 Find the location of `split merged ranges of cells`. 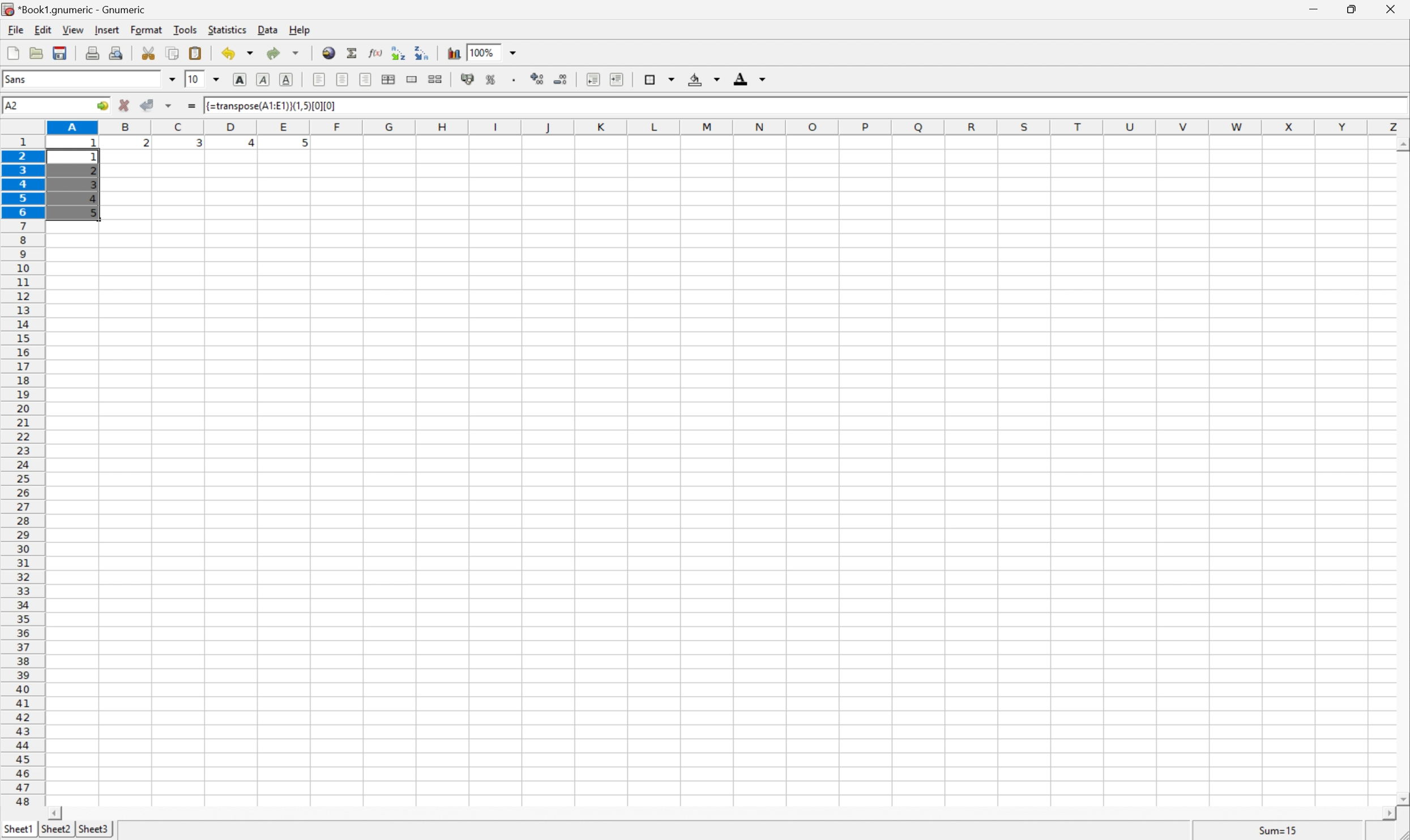

split merged ranges of cells is located at coordinates (437, 78).